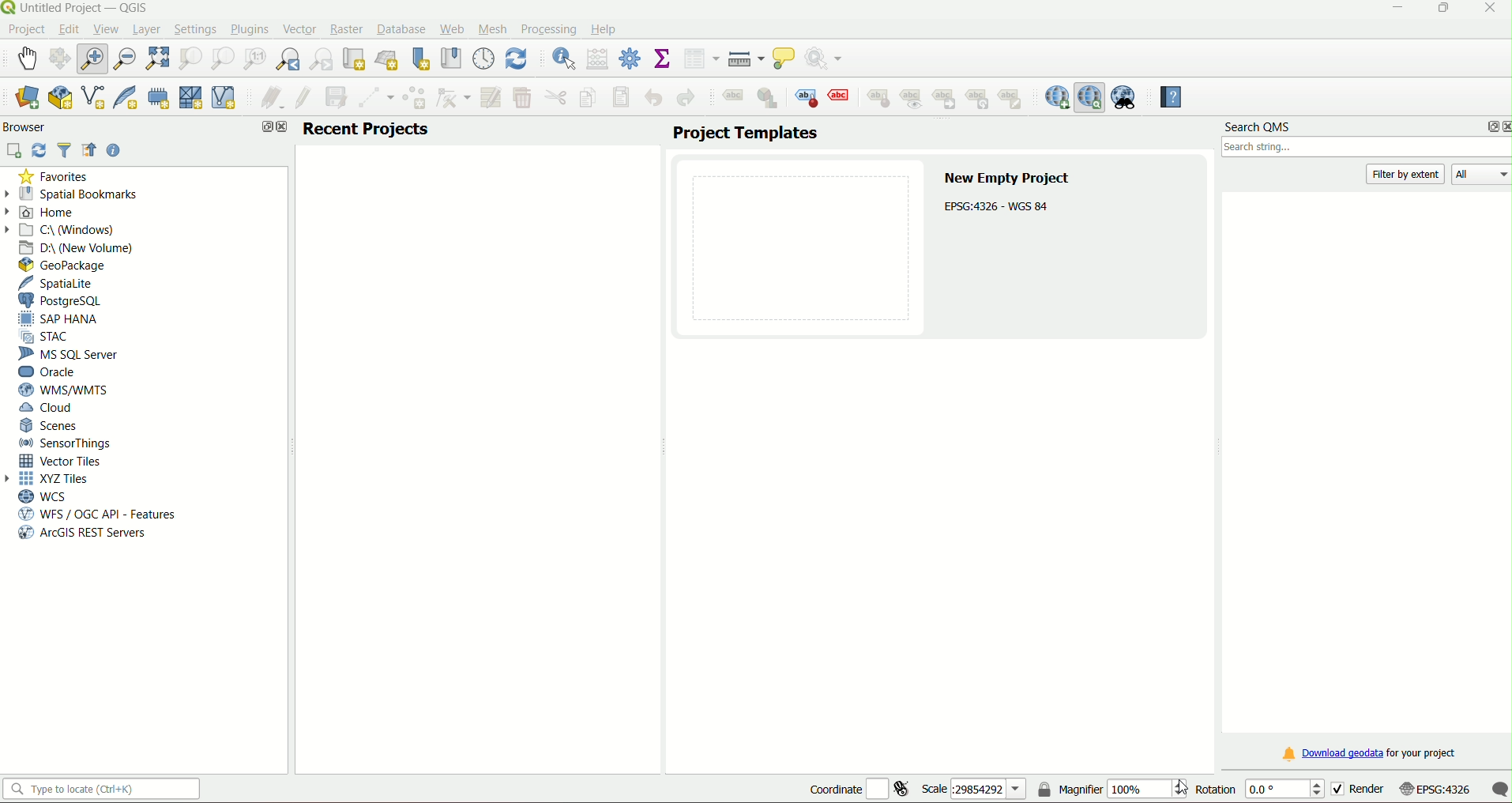 This screenshot has height=803, width=1512. Describe the element at coordinates (1125, 97) in the screenshot. I see `meta search` at that location.